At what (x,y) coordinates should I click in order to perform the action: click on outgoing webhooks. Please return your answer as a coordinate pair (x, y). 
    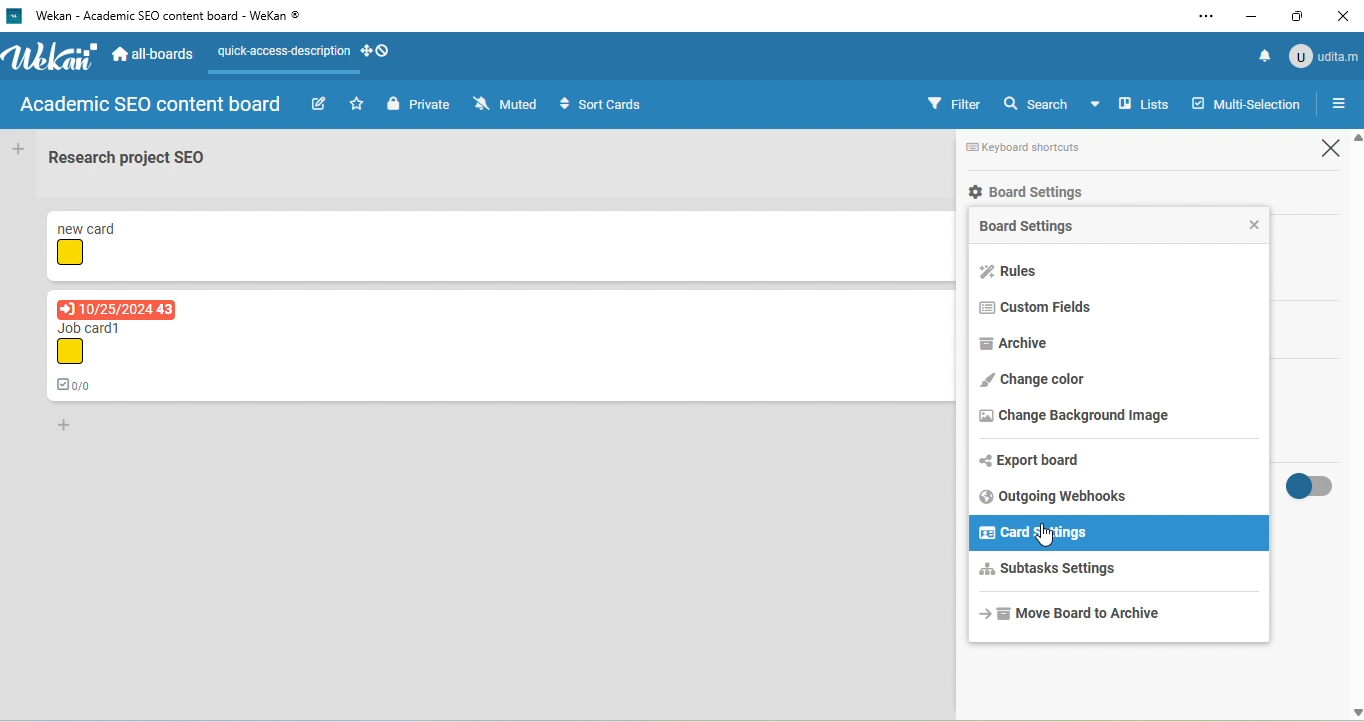
    Looking at the image, I should click on (1082, 499).